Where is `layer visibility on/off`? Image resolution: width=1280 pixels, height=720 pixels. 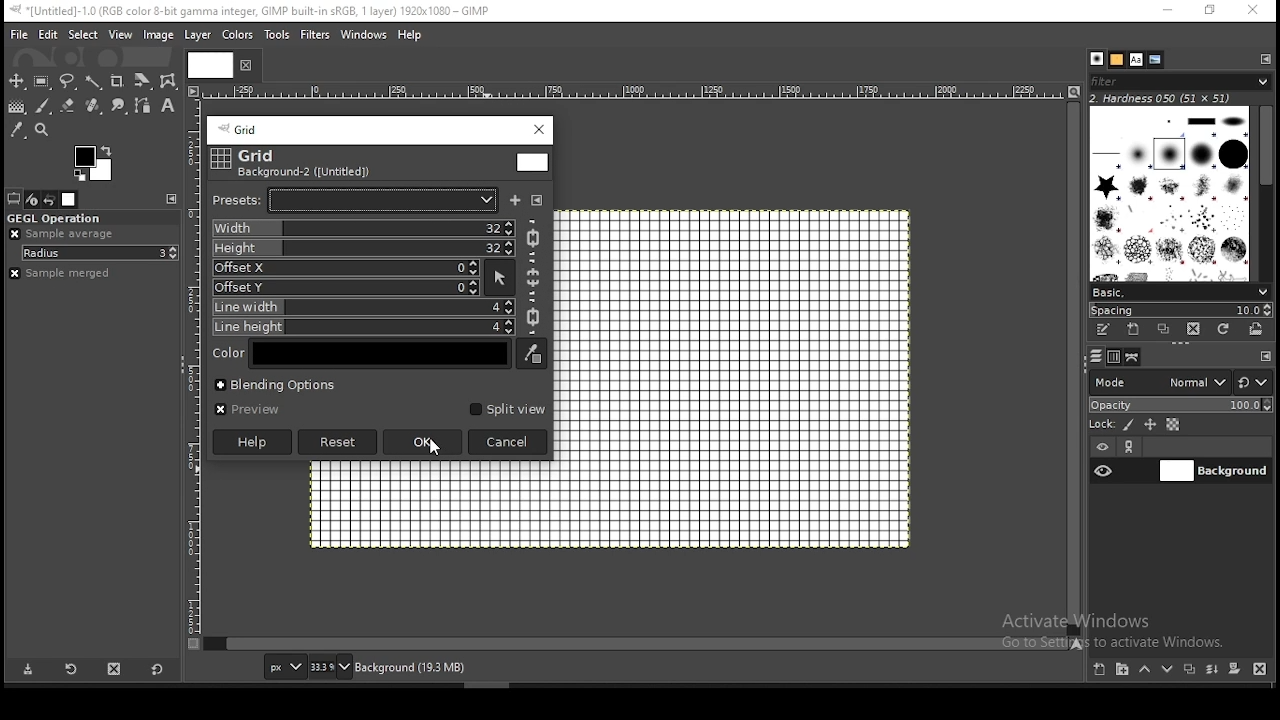
layer visibility on/off is located at coordinates (1104, 470).